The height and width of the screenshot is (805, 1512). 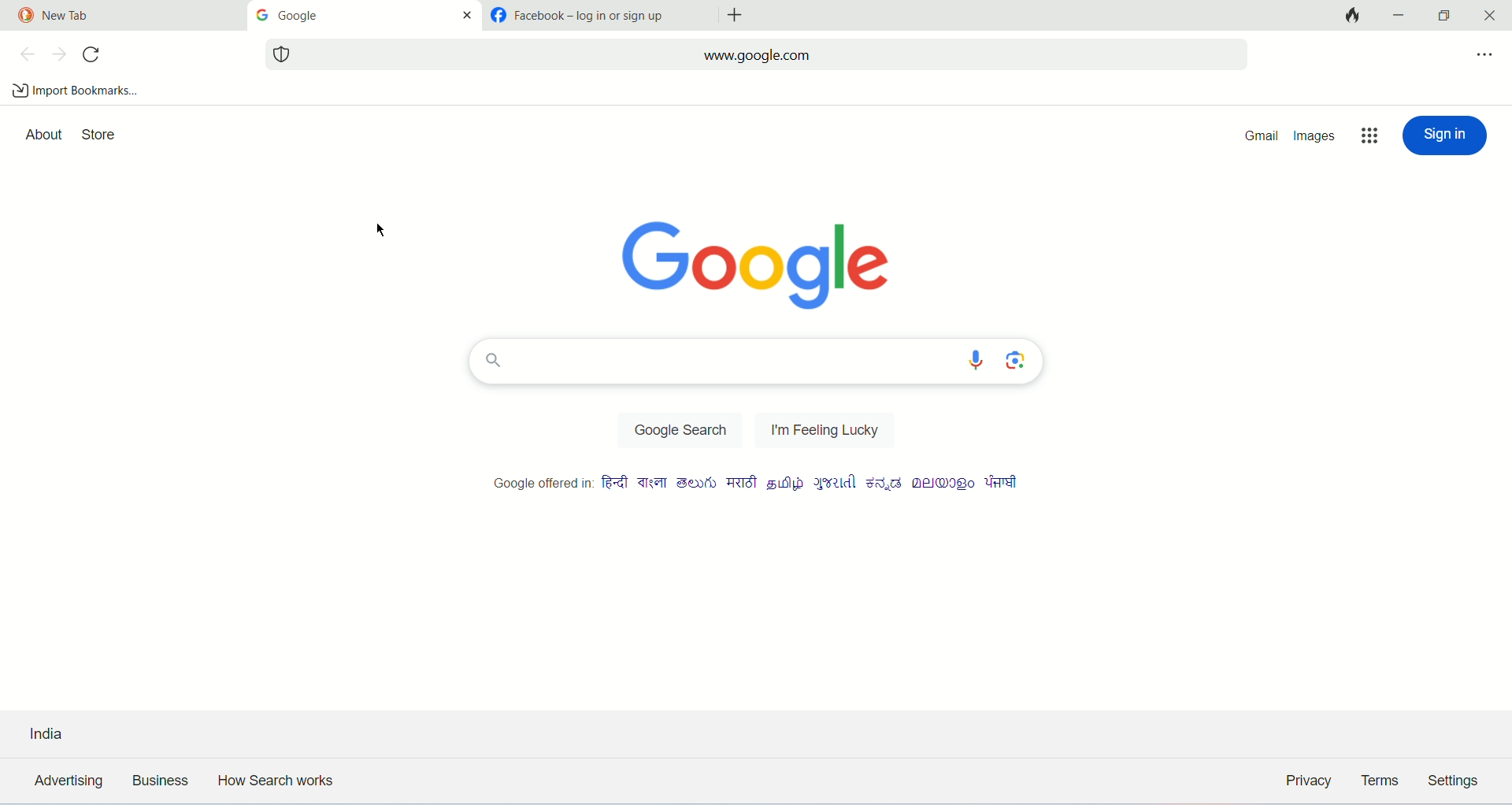 What do you see at coordinates (1354, 15) in the screenshot?
I see `close tab and clear data` at bounding box center [1354, 15].